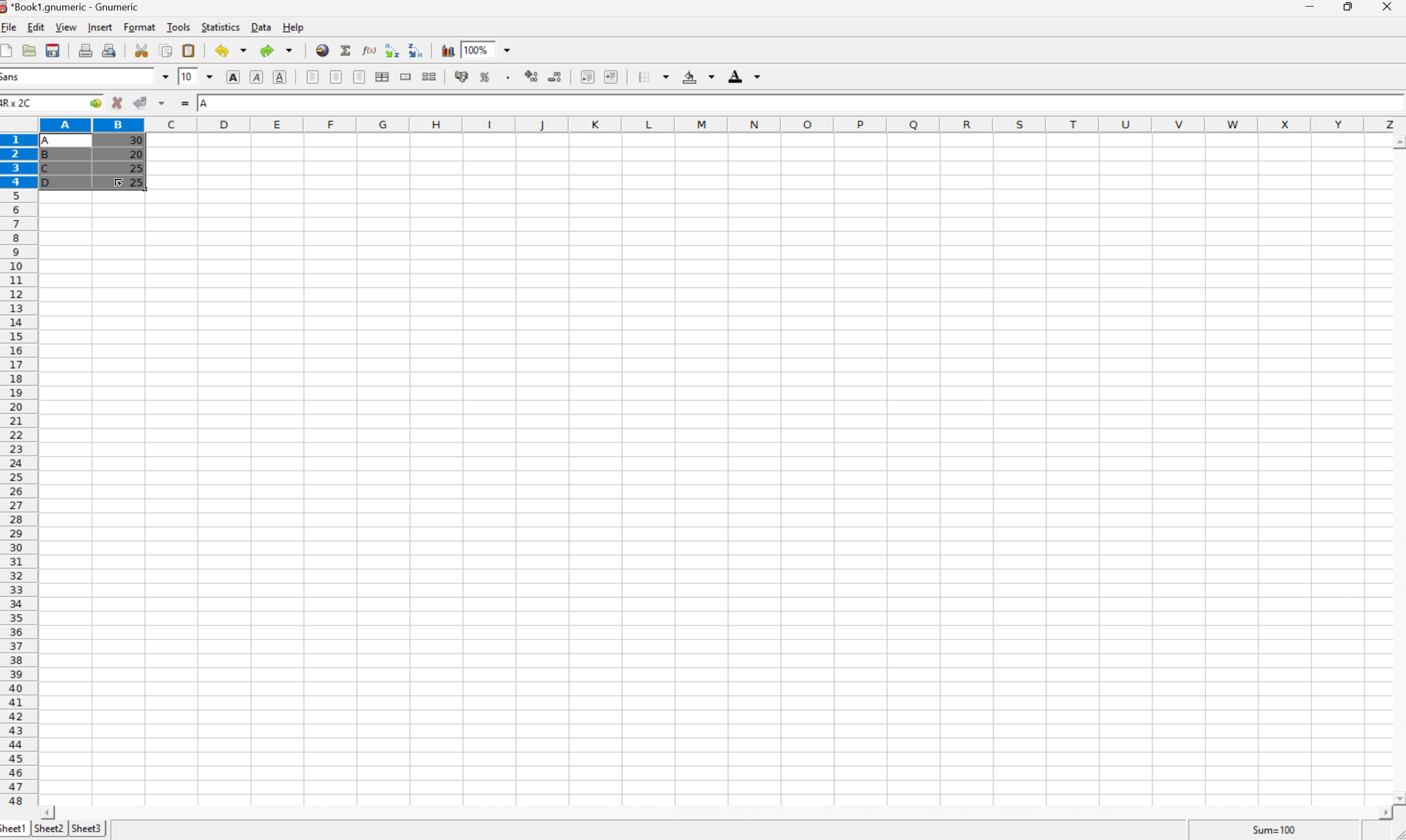 This screenshot has height=840, width=1406. Describe the element at coordinates (323, 50) in the screenshot. I see `Insert a hyperlink` at that location.